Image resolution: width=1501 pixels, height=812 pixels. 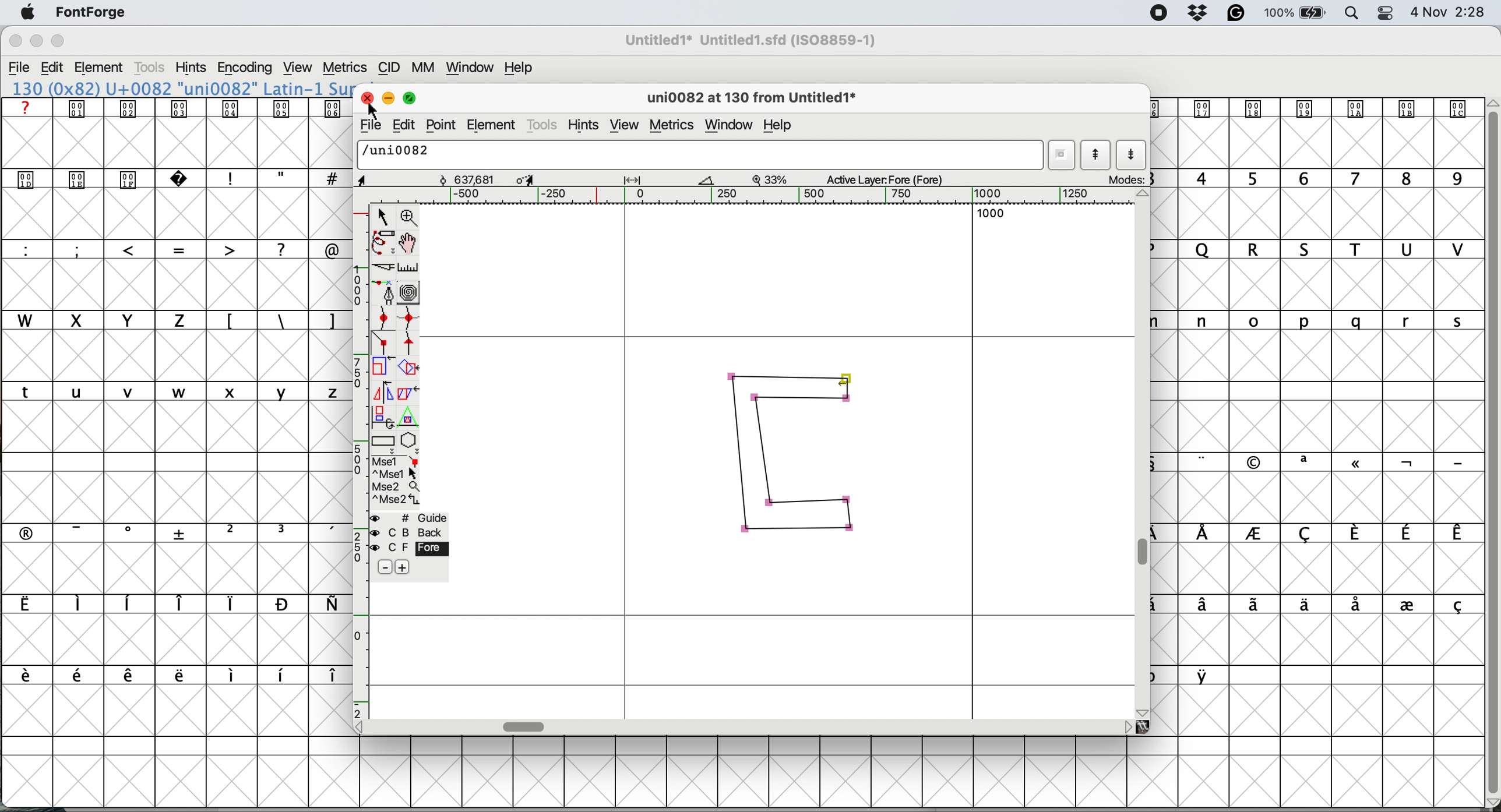 What do you see at coordinates (427, 68) in the screenshot?
I see `mm` at bounding box center [427, 68].